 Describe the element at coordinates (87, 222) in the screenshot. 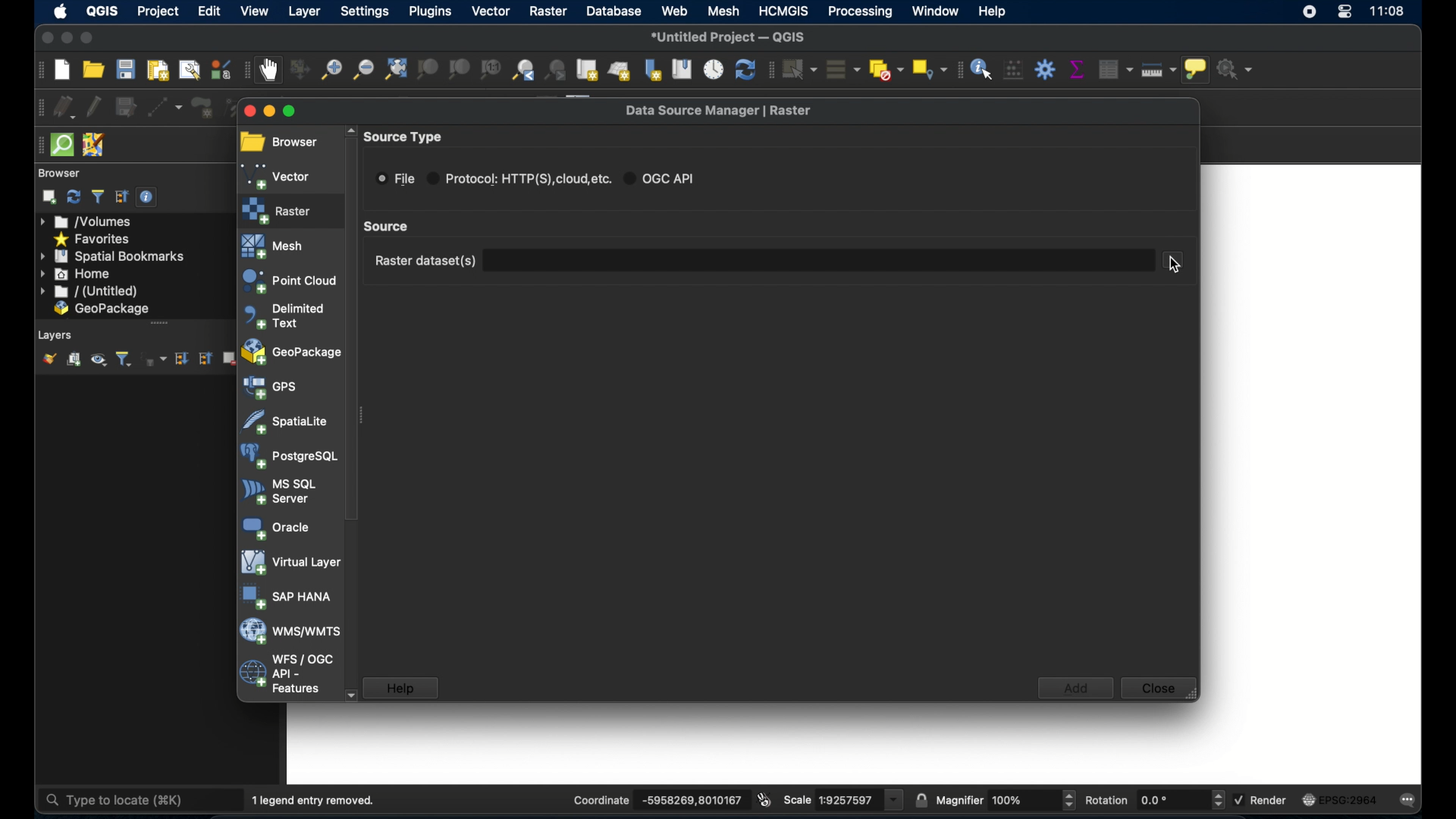

I see `volumes` at that location.